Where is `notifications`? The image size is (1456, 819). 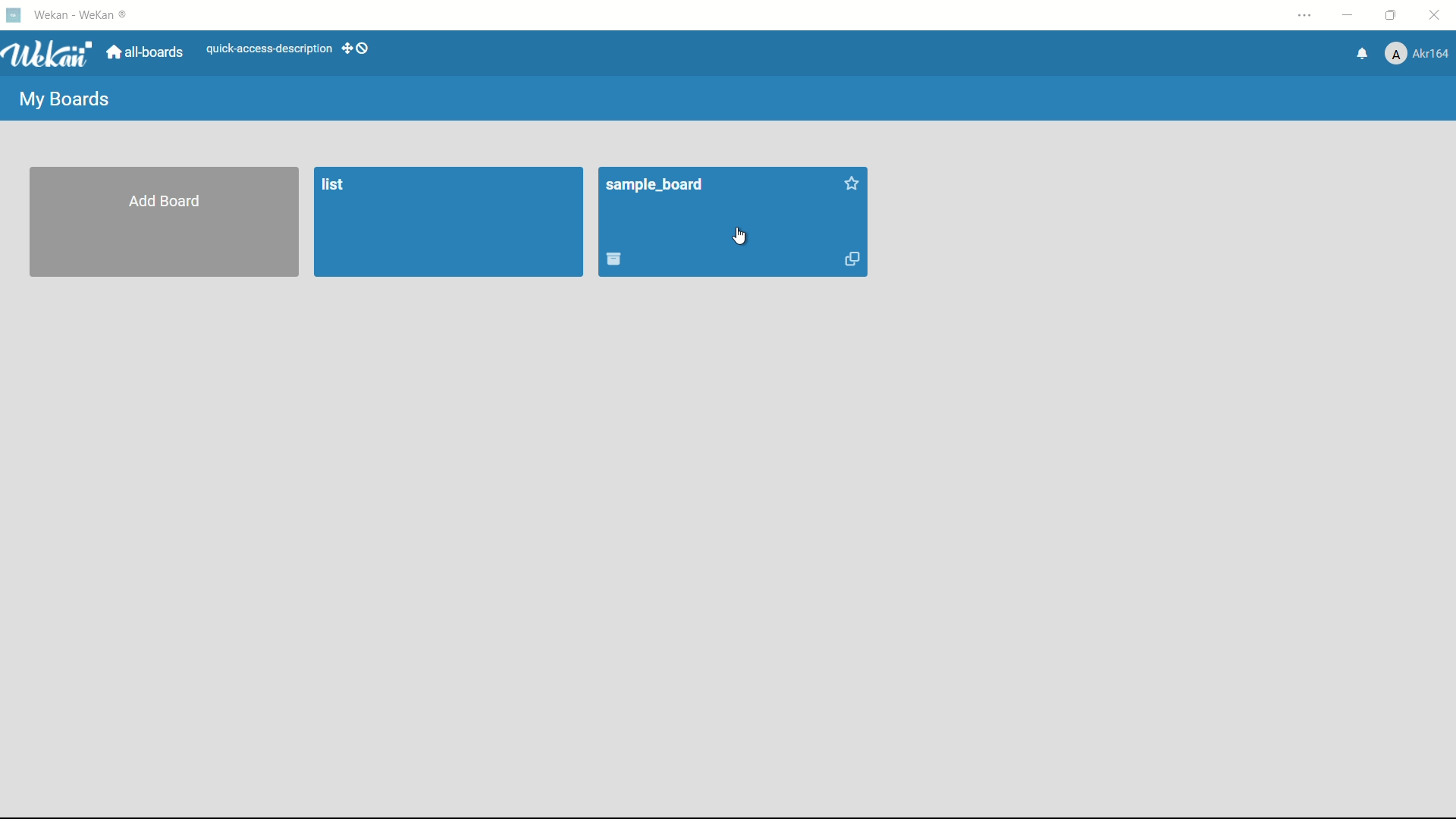 notifications is located at coordinates (1360, 55).